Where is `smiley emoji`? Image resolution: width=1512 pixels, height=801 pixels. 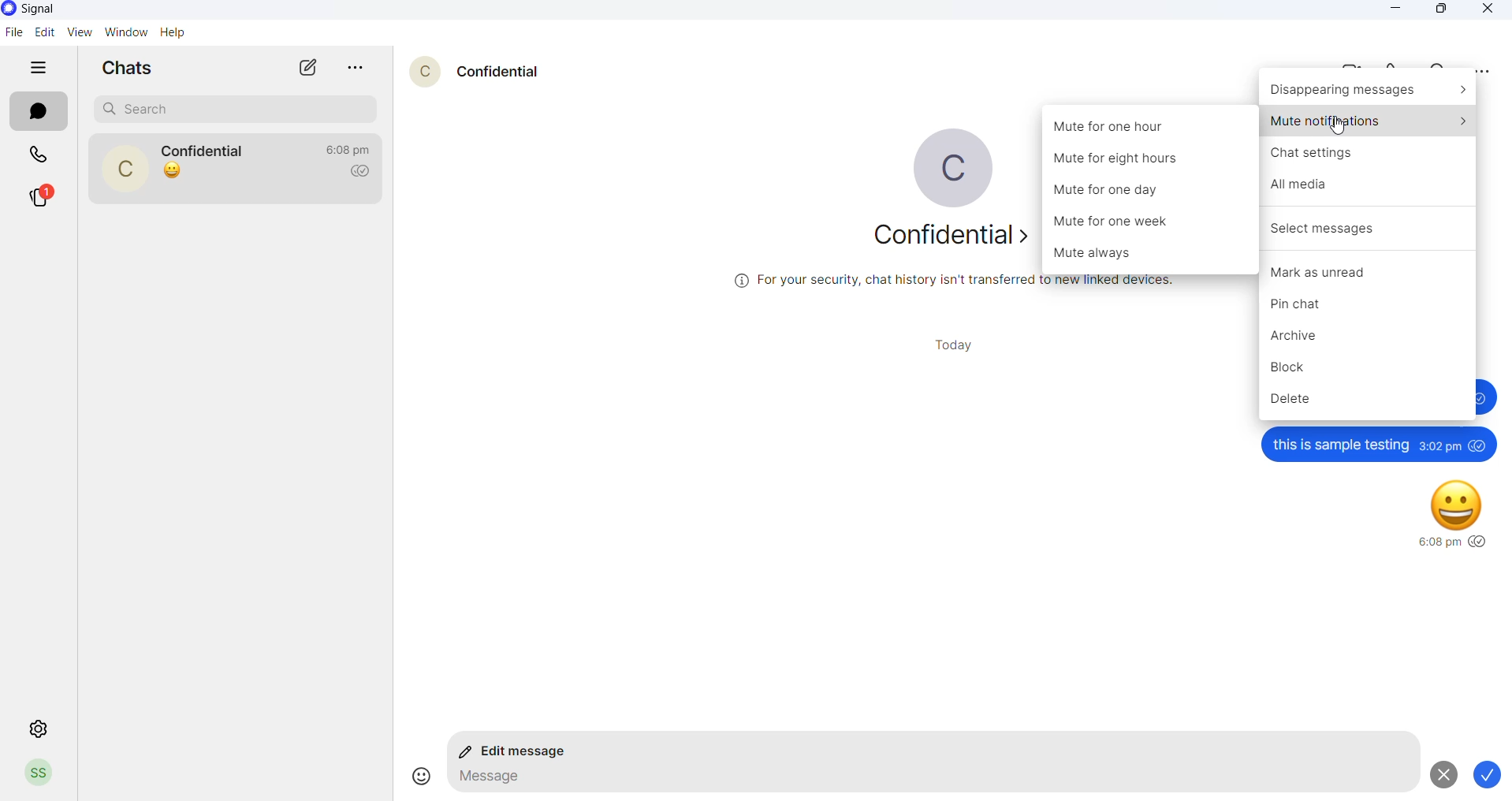
smiley emoji is located at coordinates (1458, 502).